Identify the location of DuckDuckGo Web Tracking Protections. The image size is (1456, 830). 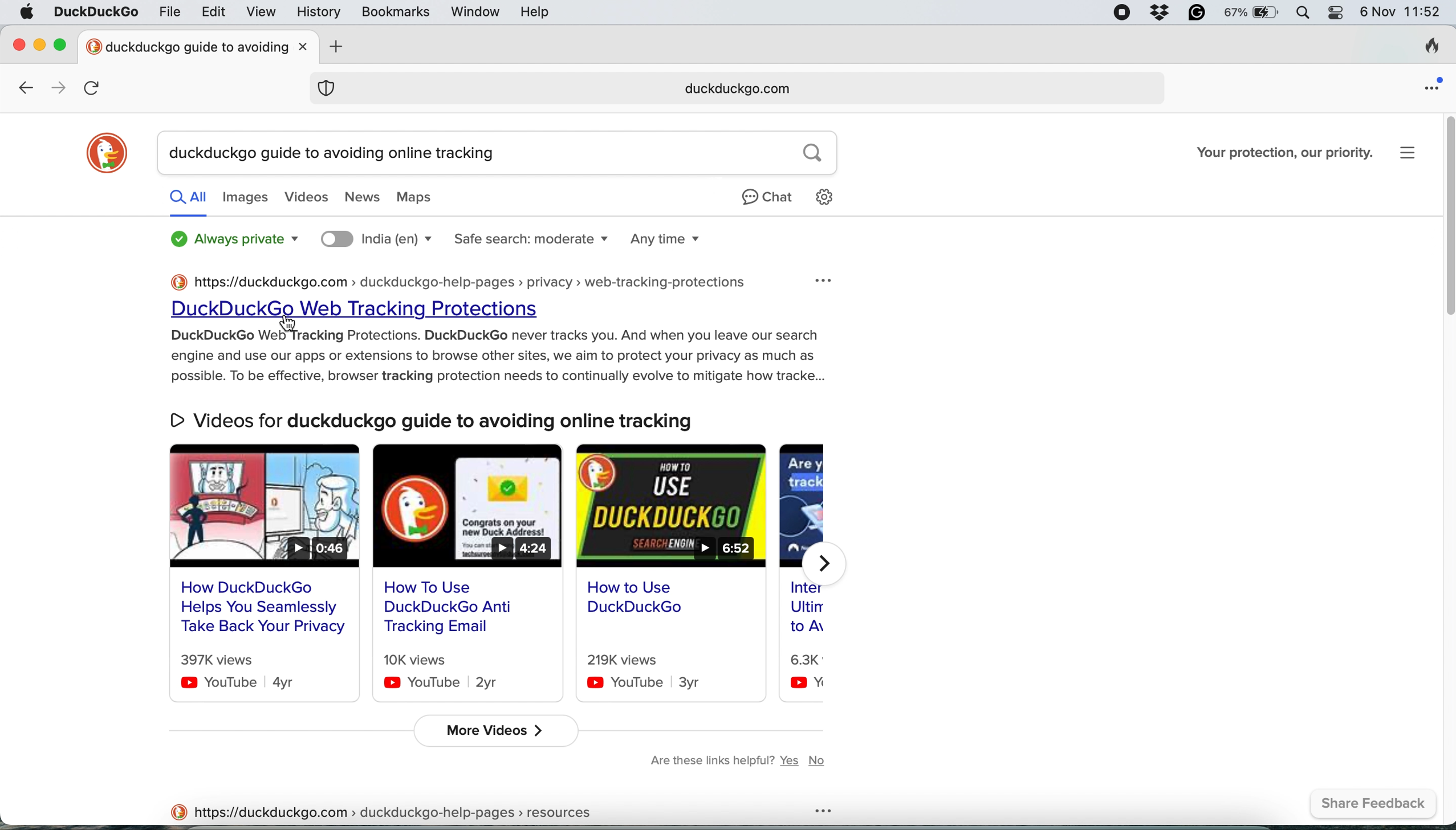
(353, 309).